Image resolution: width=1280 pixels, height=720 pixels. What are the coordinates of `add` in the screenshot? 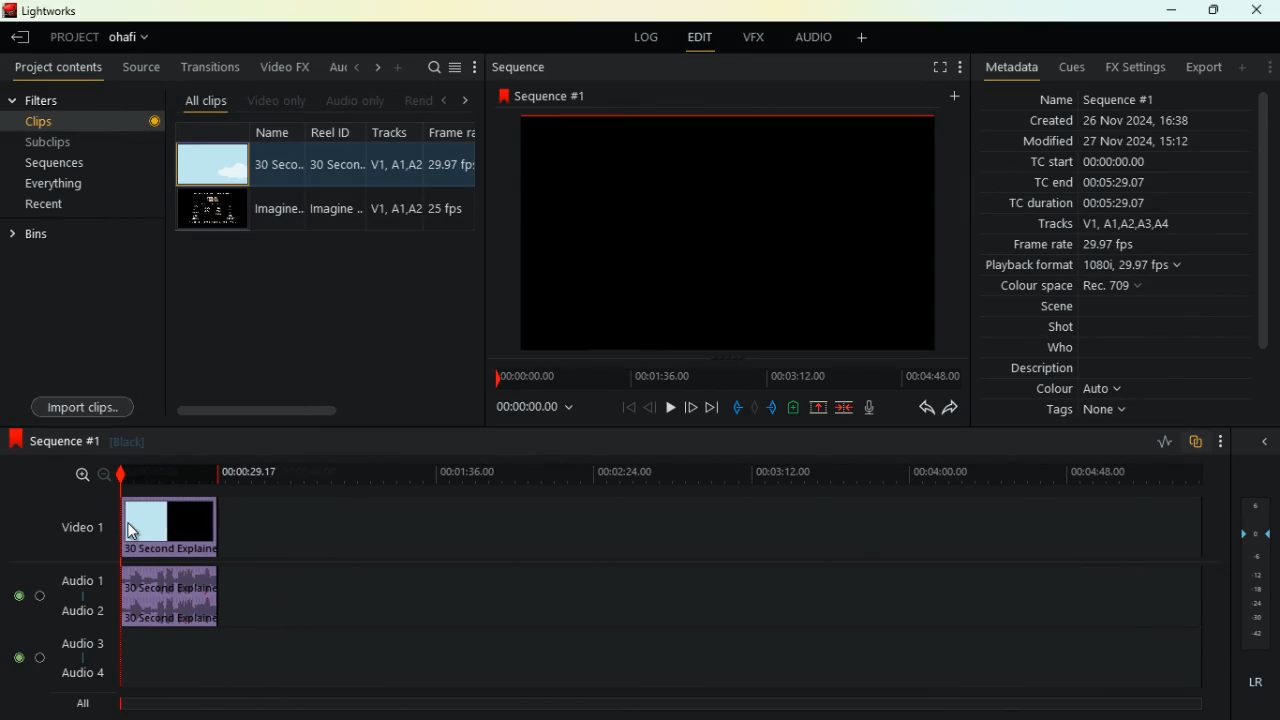 It's located at (858, 41).